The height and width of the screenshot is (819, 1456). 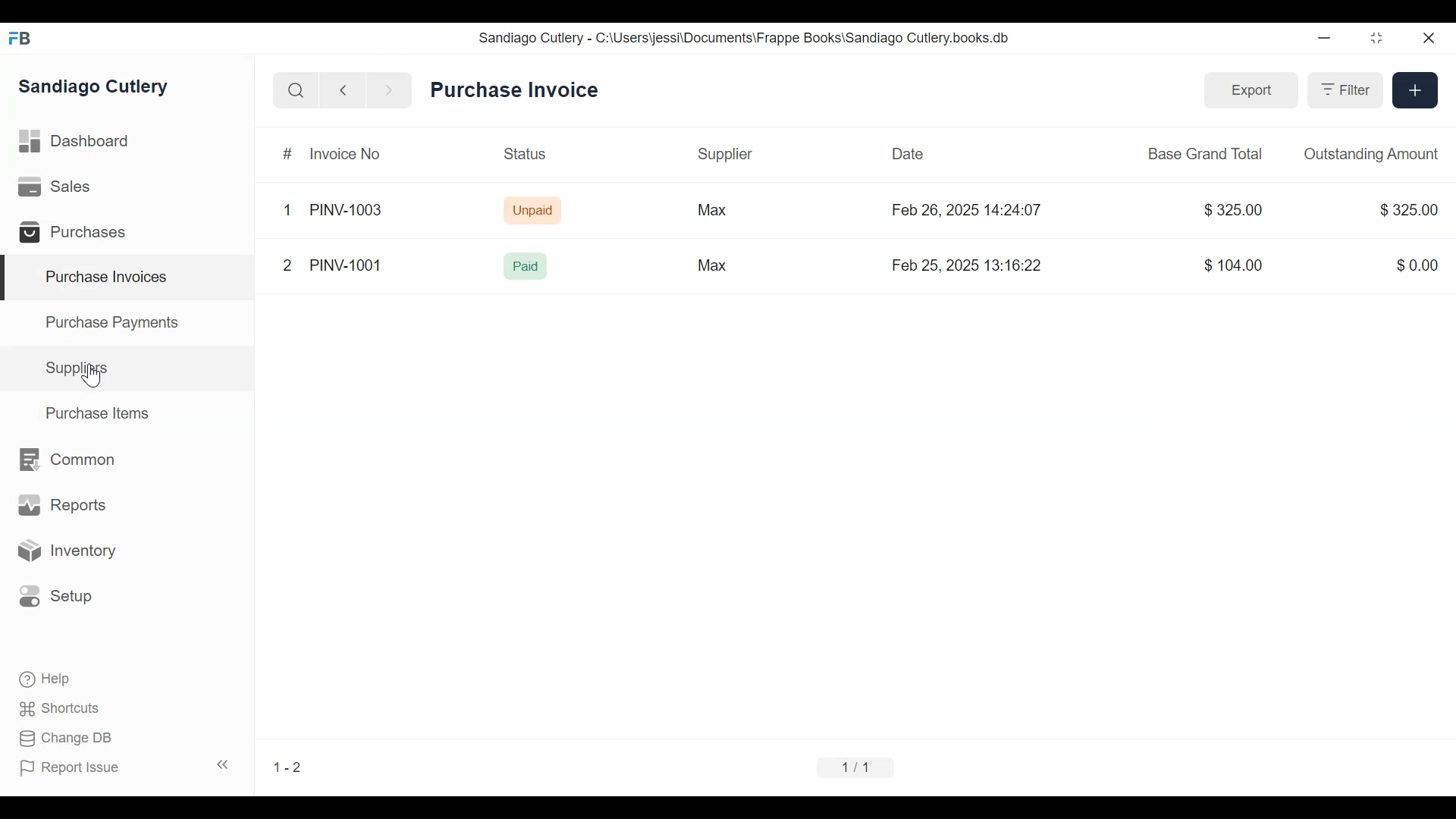 What do you see at coordinates (61, 709) in the screenshot?
I see `Shortcuts.` at bounding box center [61, 709].